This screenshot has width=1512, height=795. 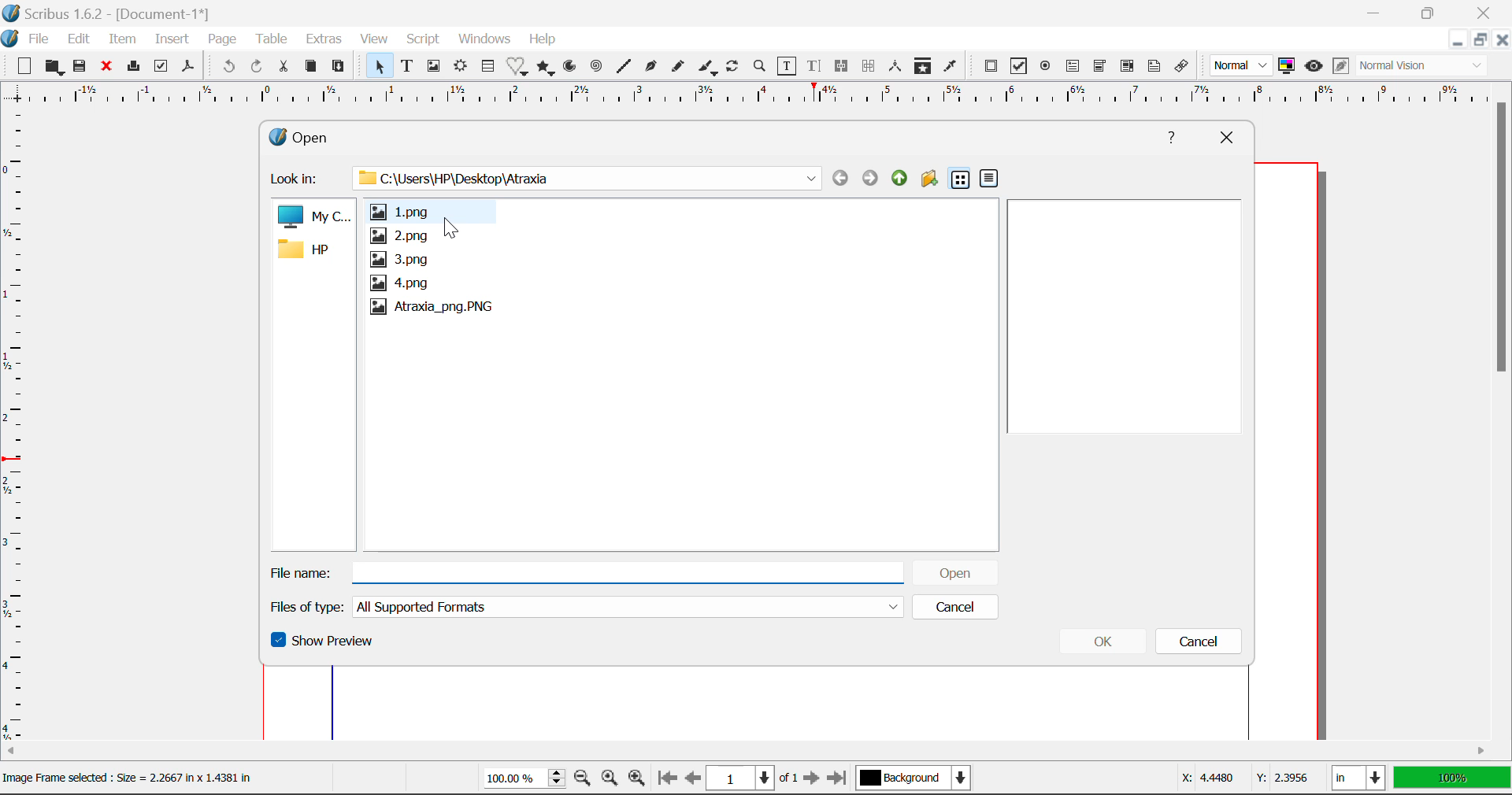 I want to click on Link Annotation, so click(x=1182, y=67).